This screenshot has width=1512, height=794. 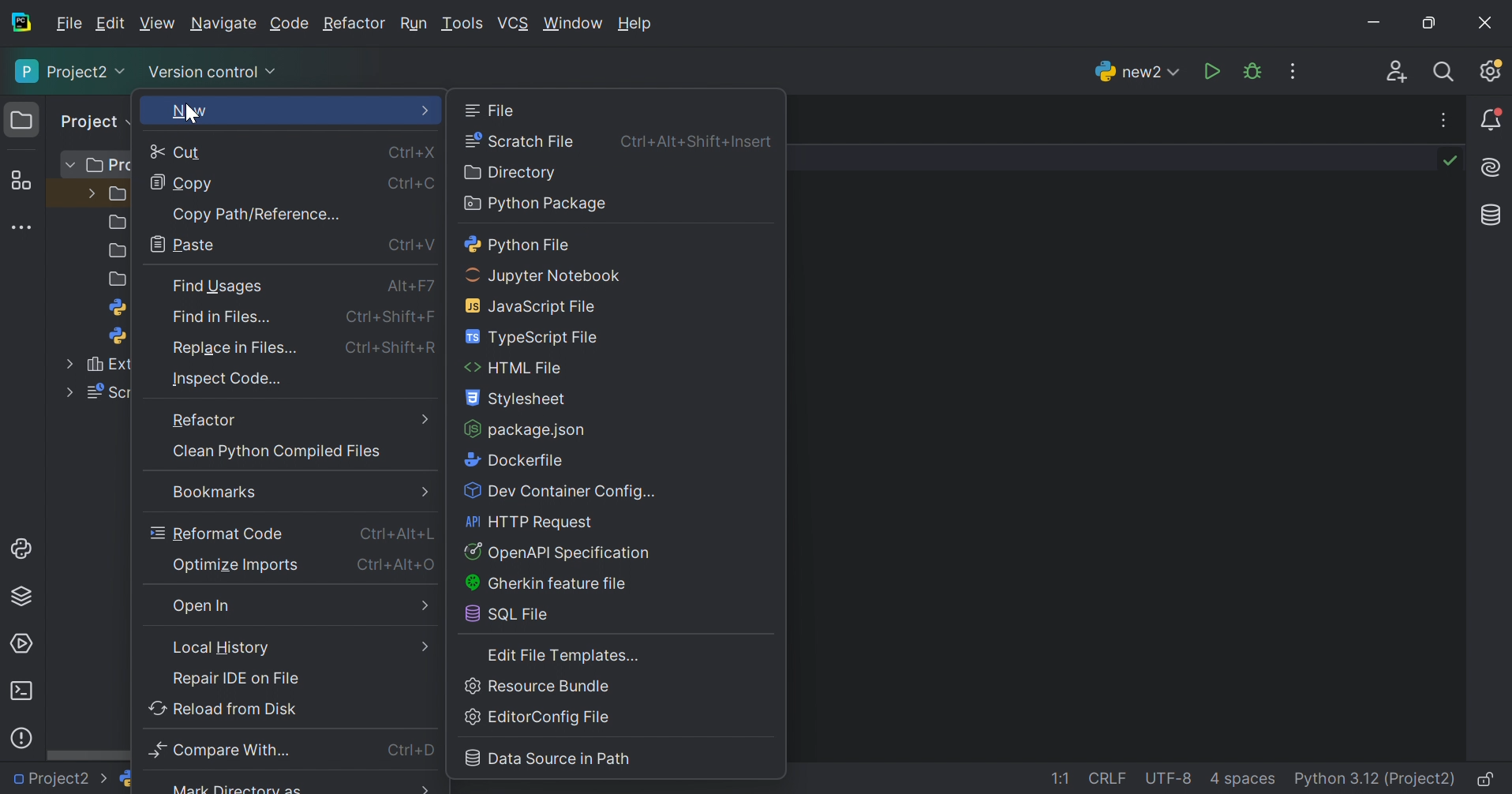 What do you see at coordinates (223, 707) in the screenshot?
I see `Reload from disk` at bounding box center [223, 707].